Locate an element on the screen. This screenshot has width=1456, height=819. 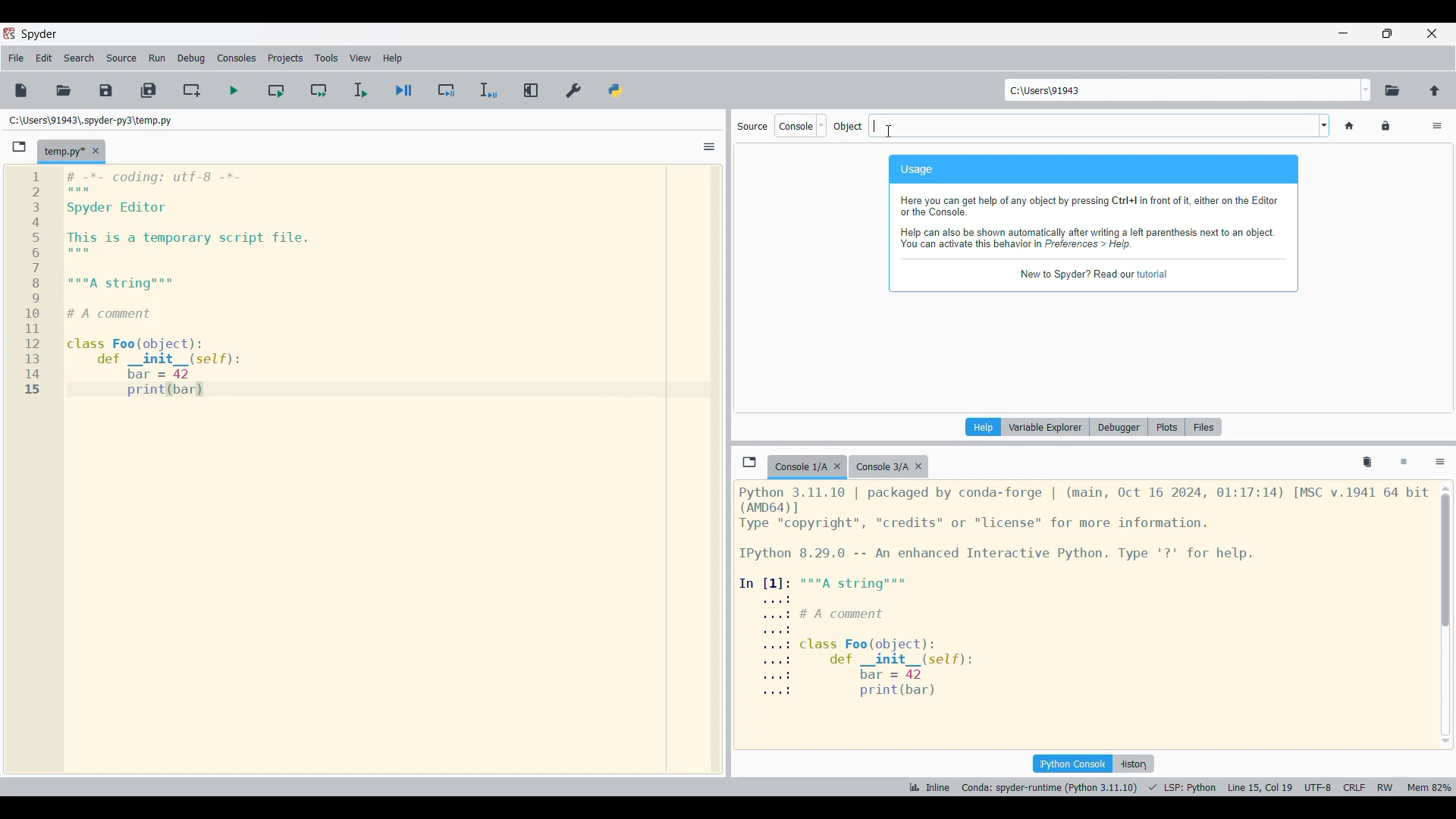
Options  is located at coordinates (709, 147).